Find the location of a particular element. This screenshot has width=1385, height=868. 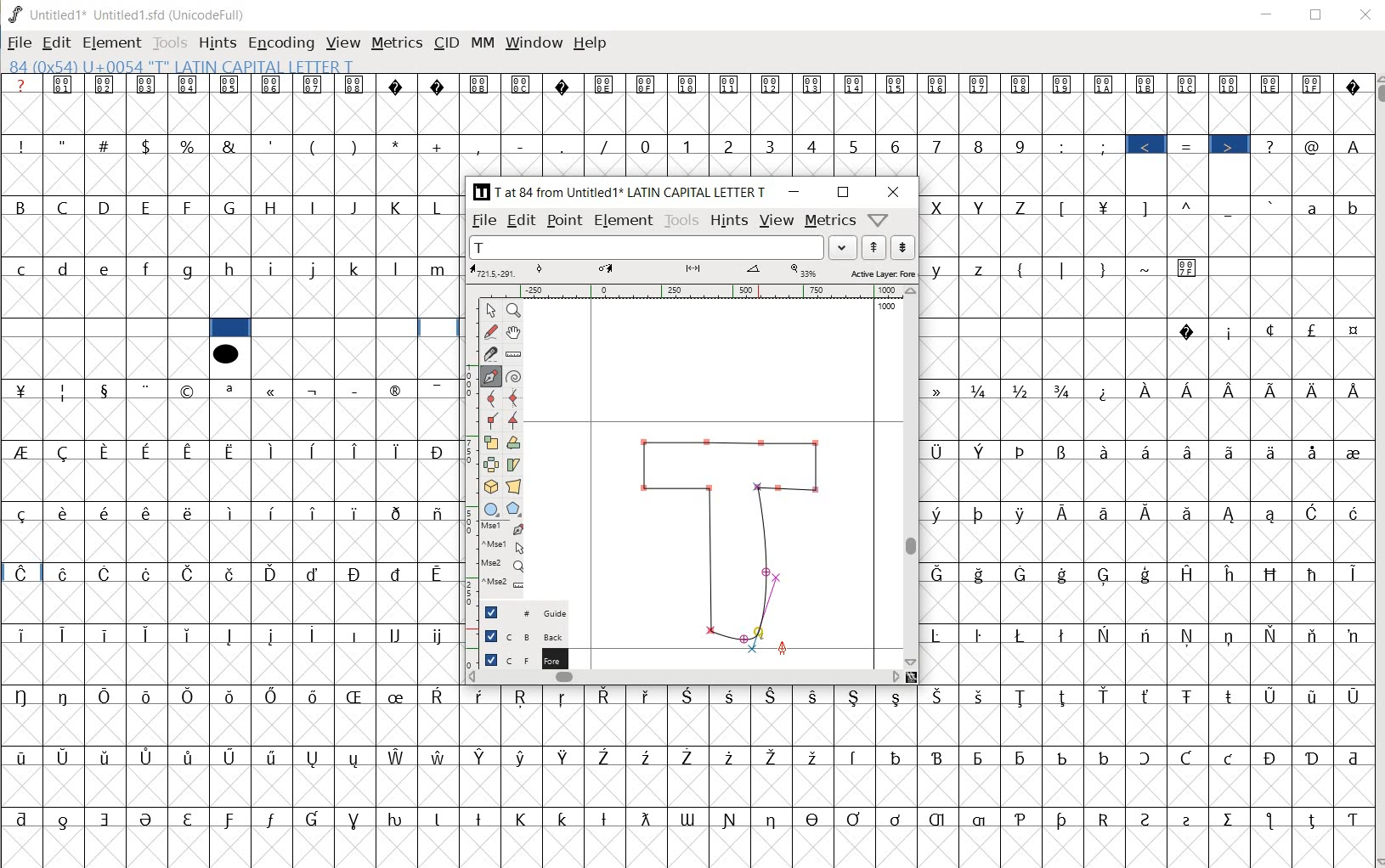

Symbol is located at coordinates (1144, 758).